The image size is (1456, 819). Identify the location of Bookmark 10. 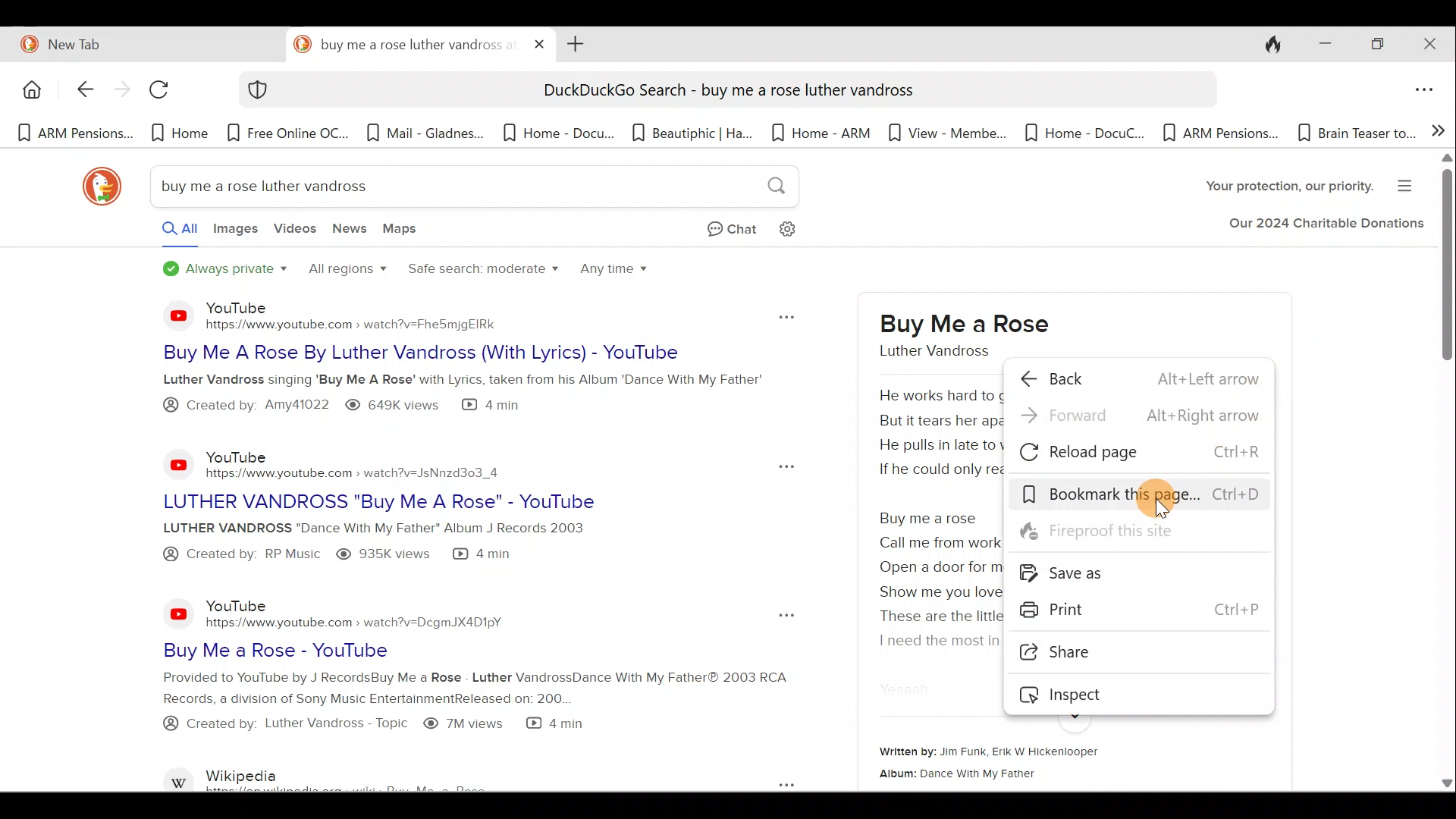
(1221, 134).